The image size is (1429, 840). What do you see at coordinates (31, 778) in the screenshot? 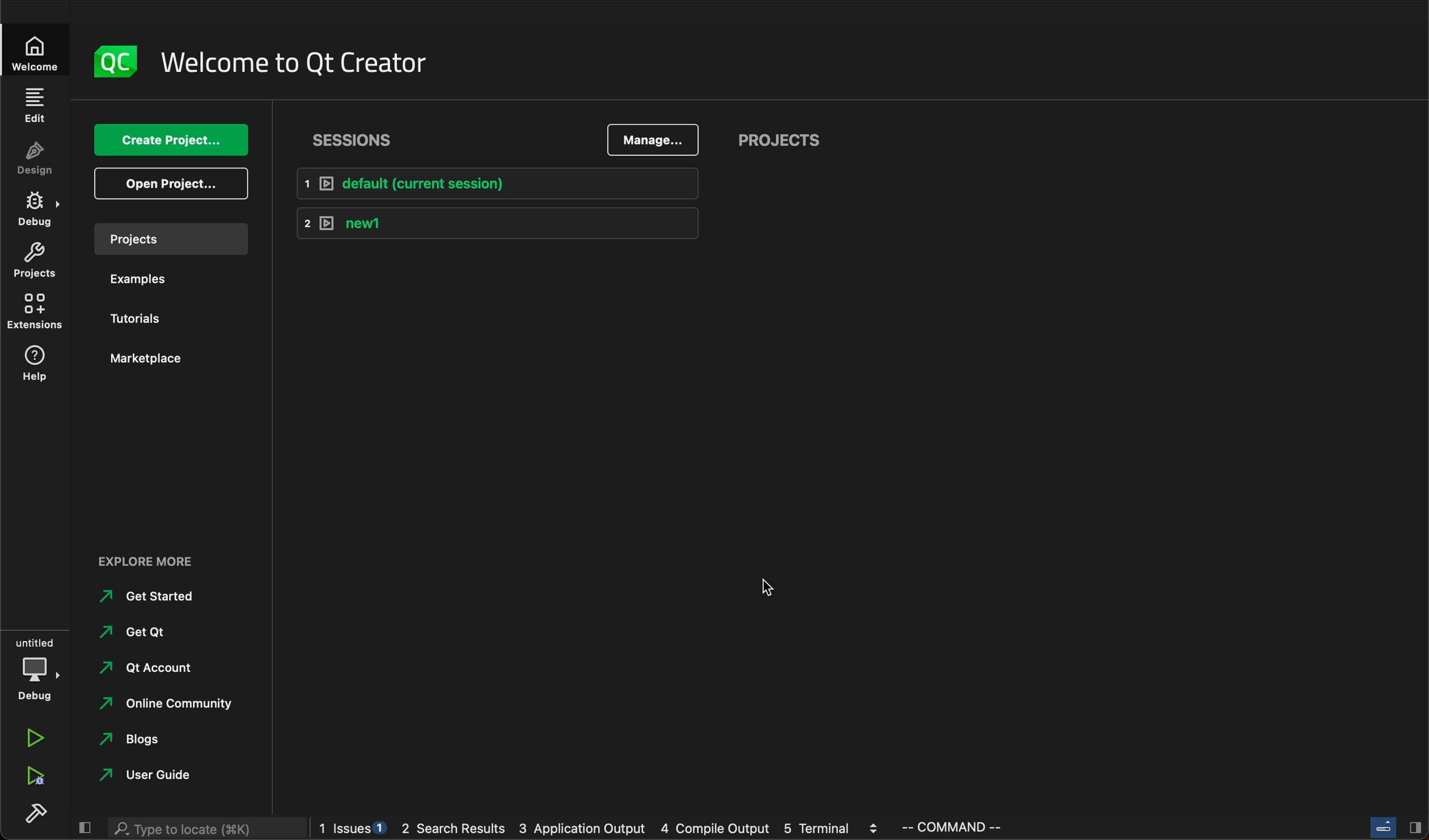
I see `run debug` at bounding box center [31, 778].